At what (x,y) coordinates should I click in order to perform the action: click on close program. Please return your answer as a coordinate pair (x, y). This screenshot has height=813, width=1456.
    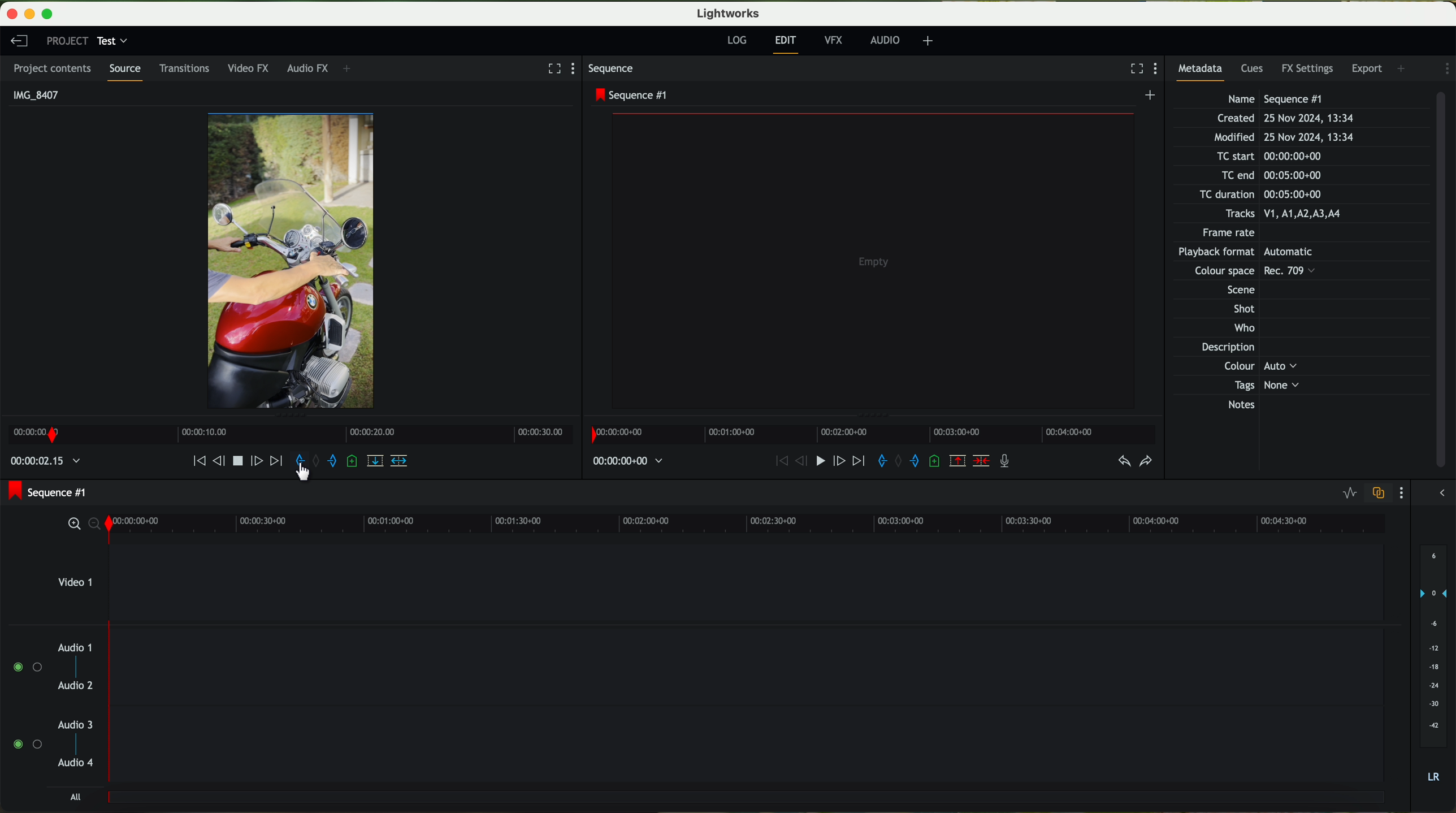
    Looking at the image, I should click on (10, 14).